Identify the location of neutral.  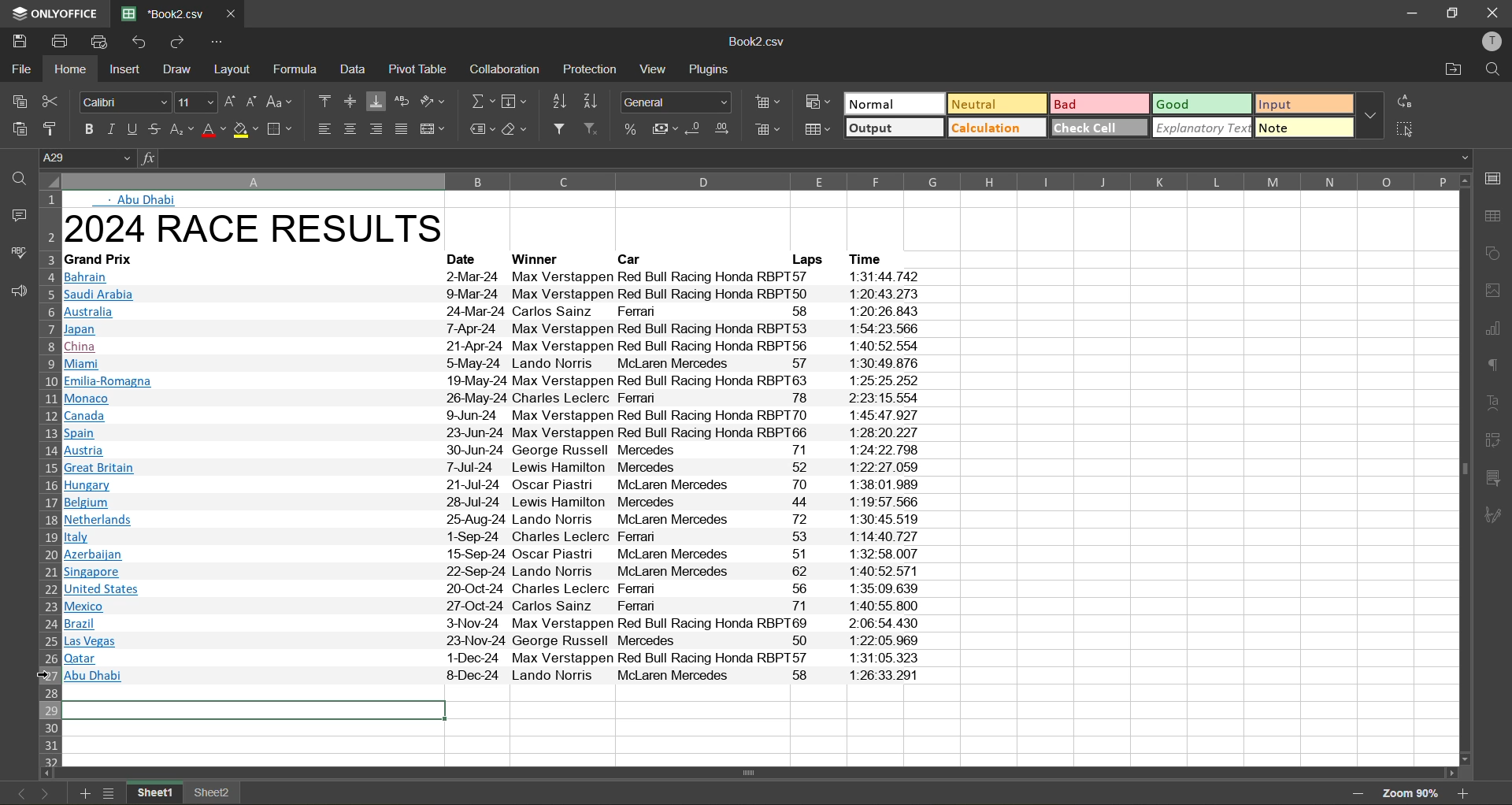
(994, 103).